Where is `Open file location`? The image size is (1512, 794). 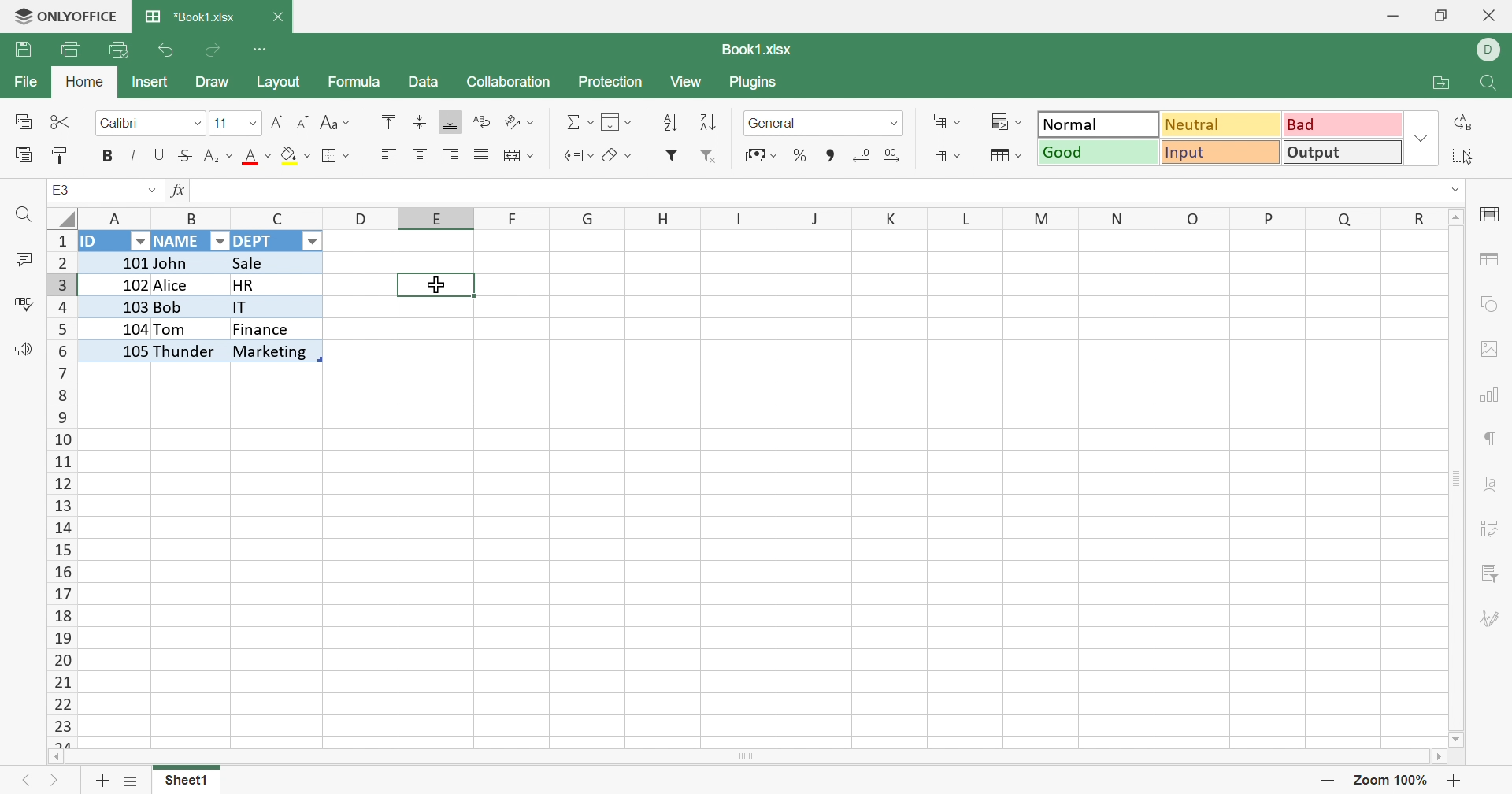
Open file location is located at coordinates (1434, 85).